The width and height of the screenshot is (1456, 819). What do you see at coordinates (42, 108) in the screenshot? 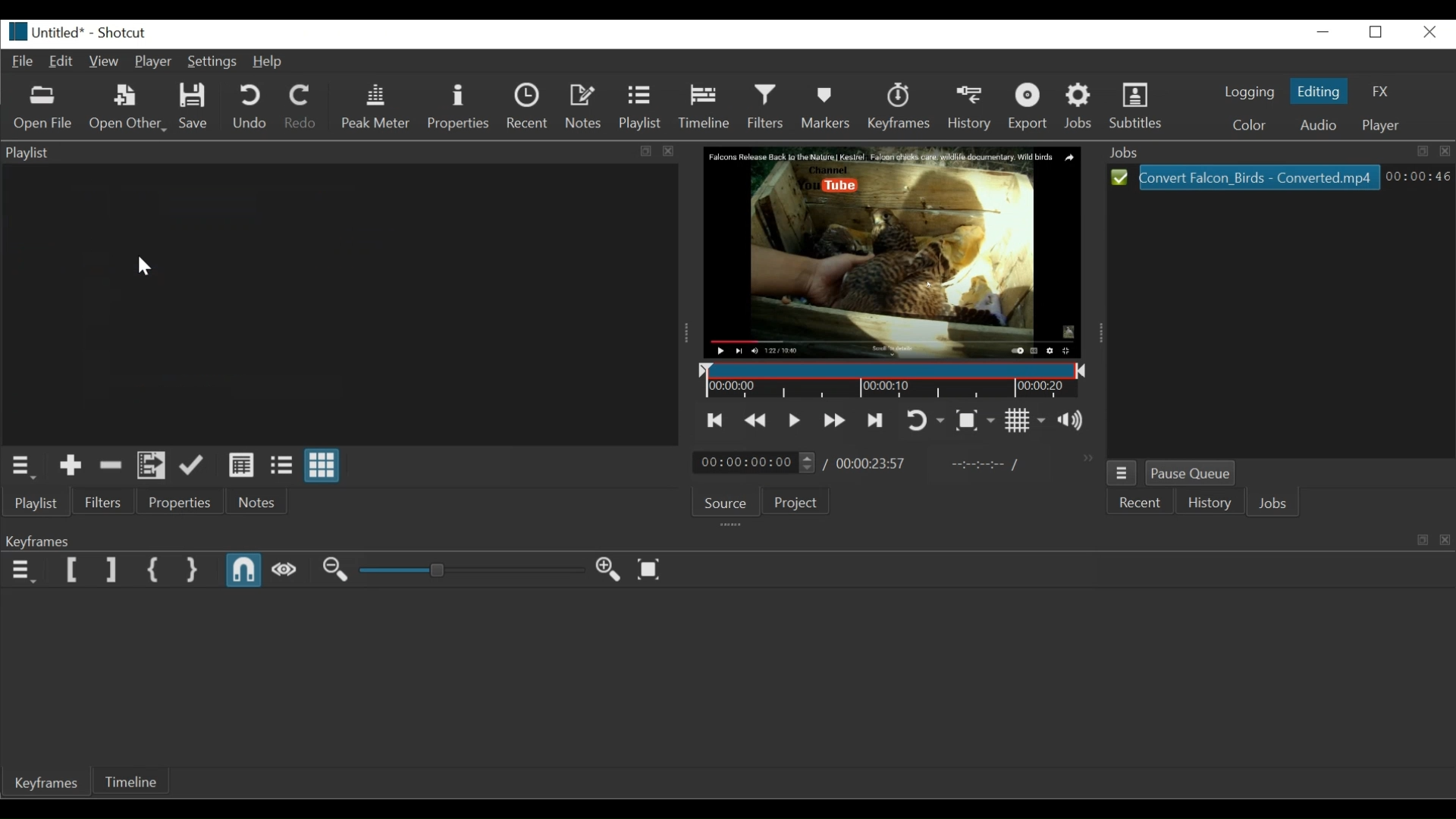
I see `Open File` at bounding box center [42, 108].